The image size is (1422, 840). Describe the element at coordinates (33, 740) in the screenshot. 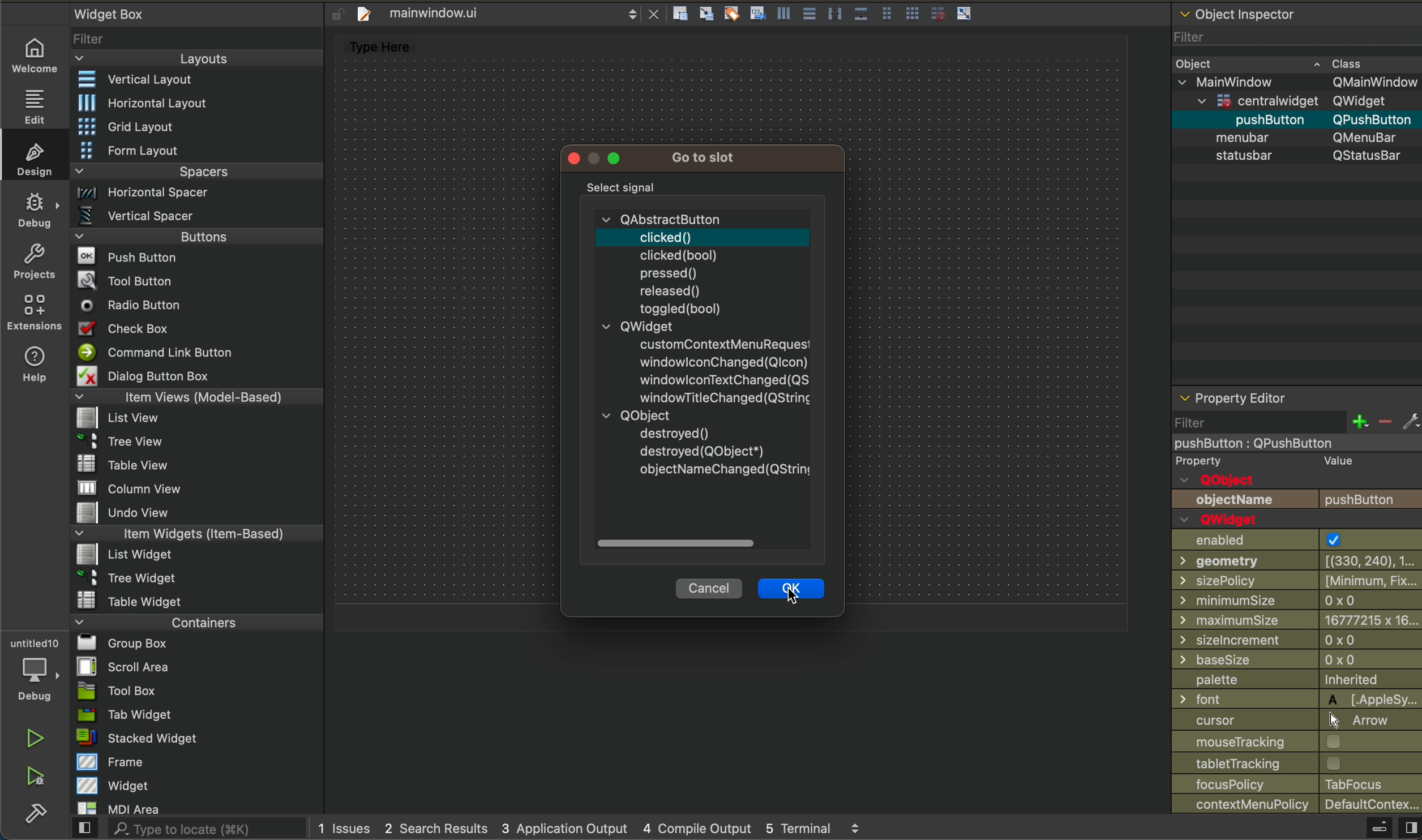

I see `run` at that location.